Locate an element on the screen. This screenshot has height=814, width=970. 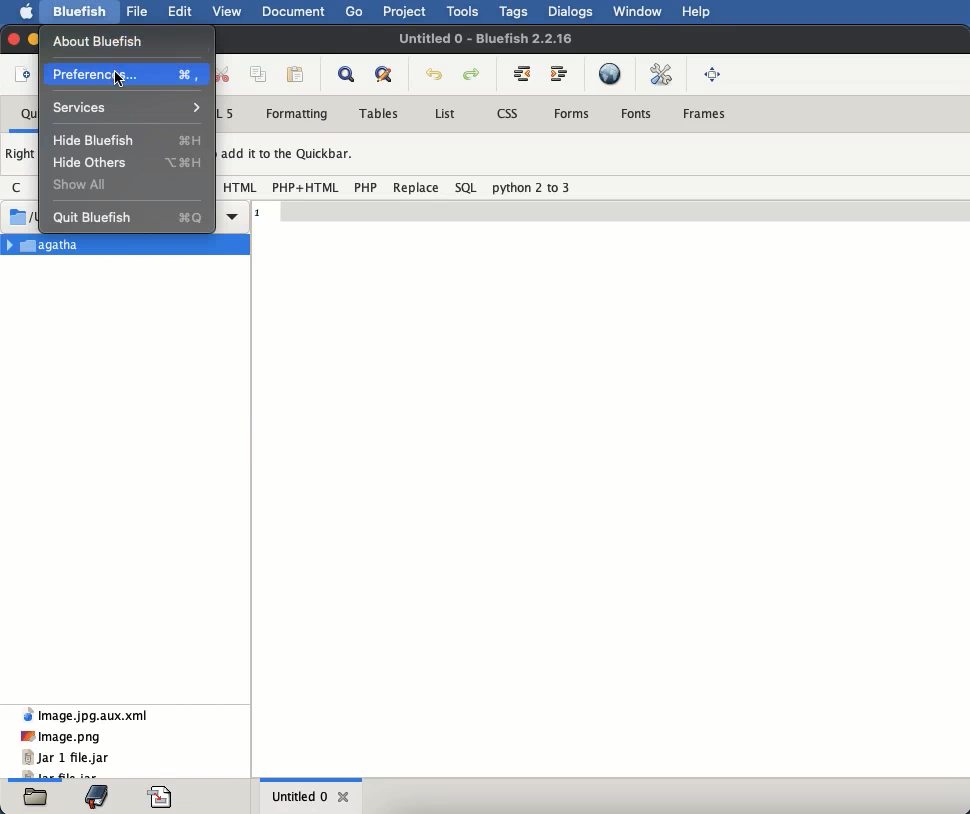
bluefish is located at coordinates (81, 14).